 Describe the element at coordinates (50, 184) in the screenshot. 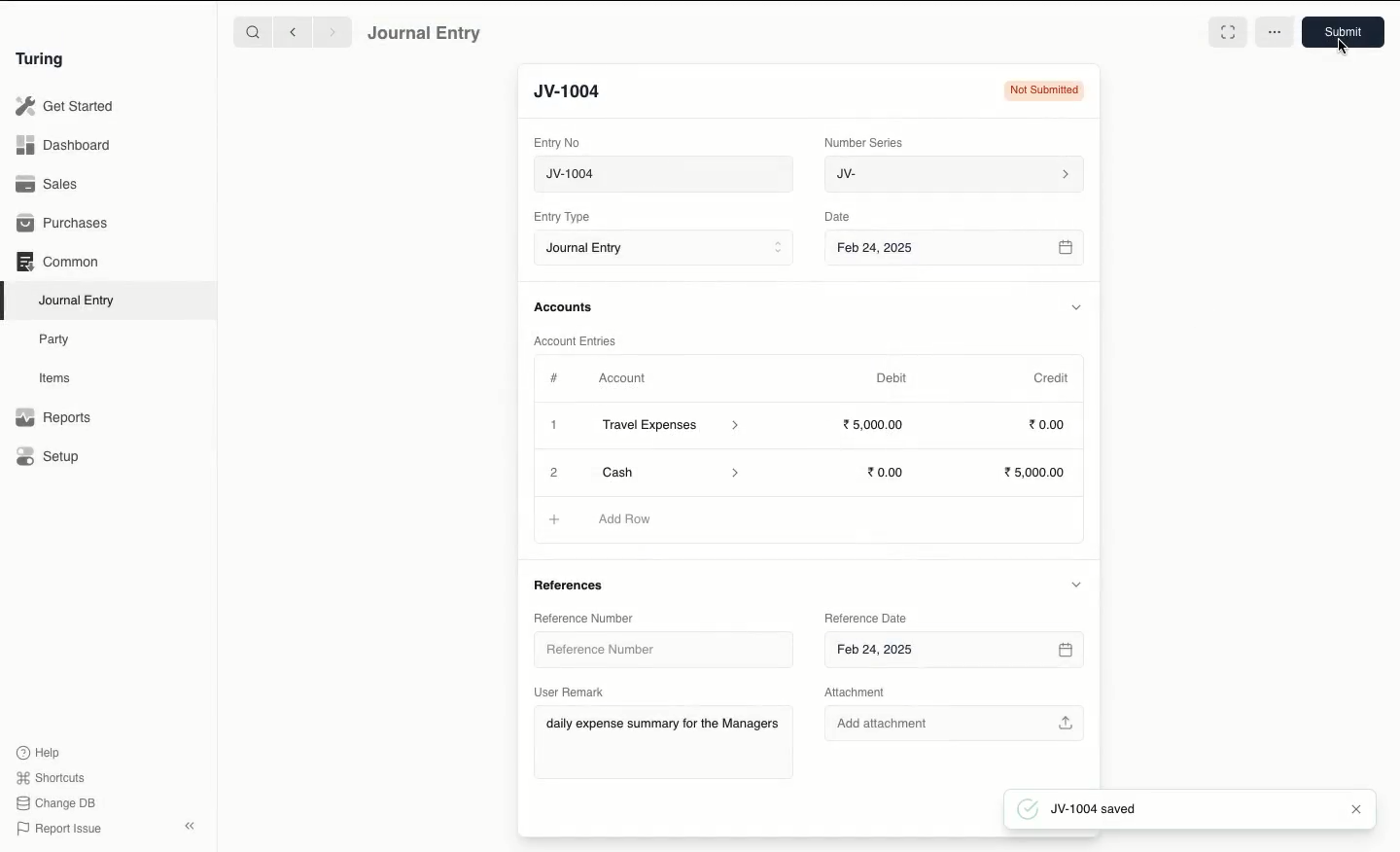

I see `Sales` at that location.